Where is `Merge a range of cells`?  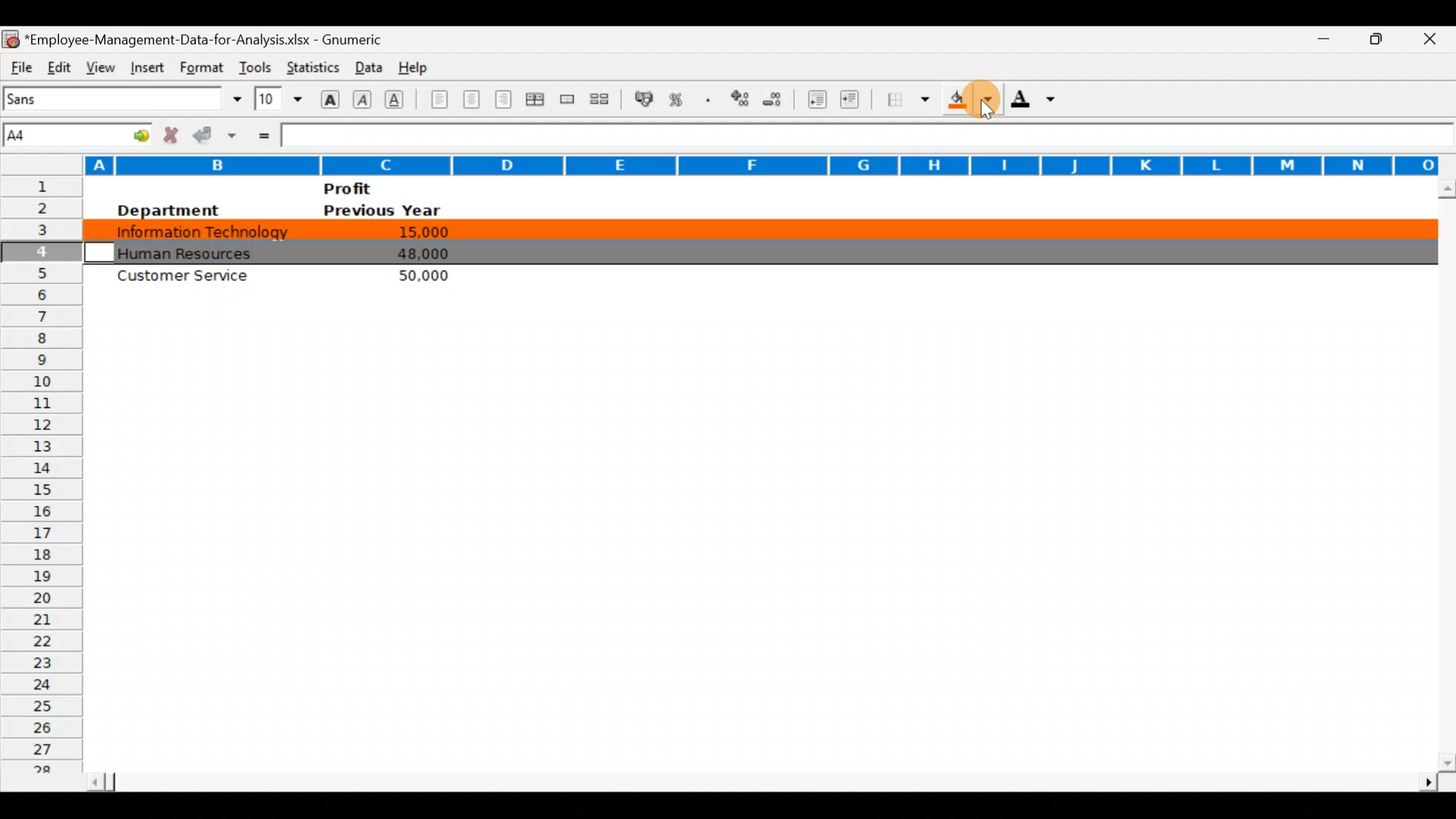 Merge a range of cells is located at coordinates (566, 101).